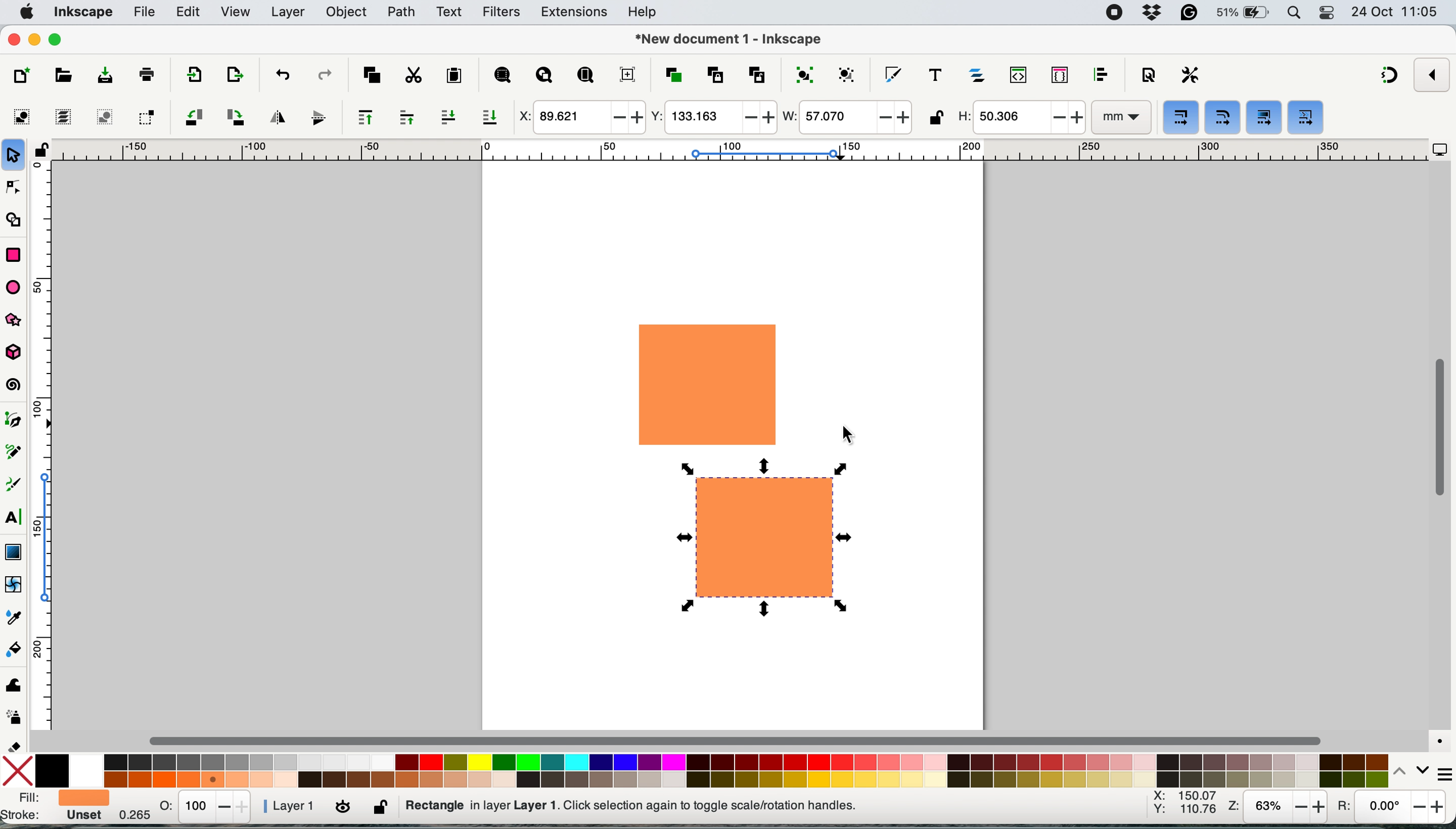 Image resolution: width=1456 pixels, height=829 pixels. What do you see at coordinates (713, 75) in the screenshot?
I see `create clone` at bounding box center [713, 75].